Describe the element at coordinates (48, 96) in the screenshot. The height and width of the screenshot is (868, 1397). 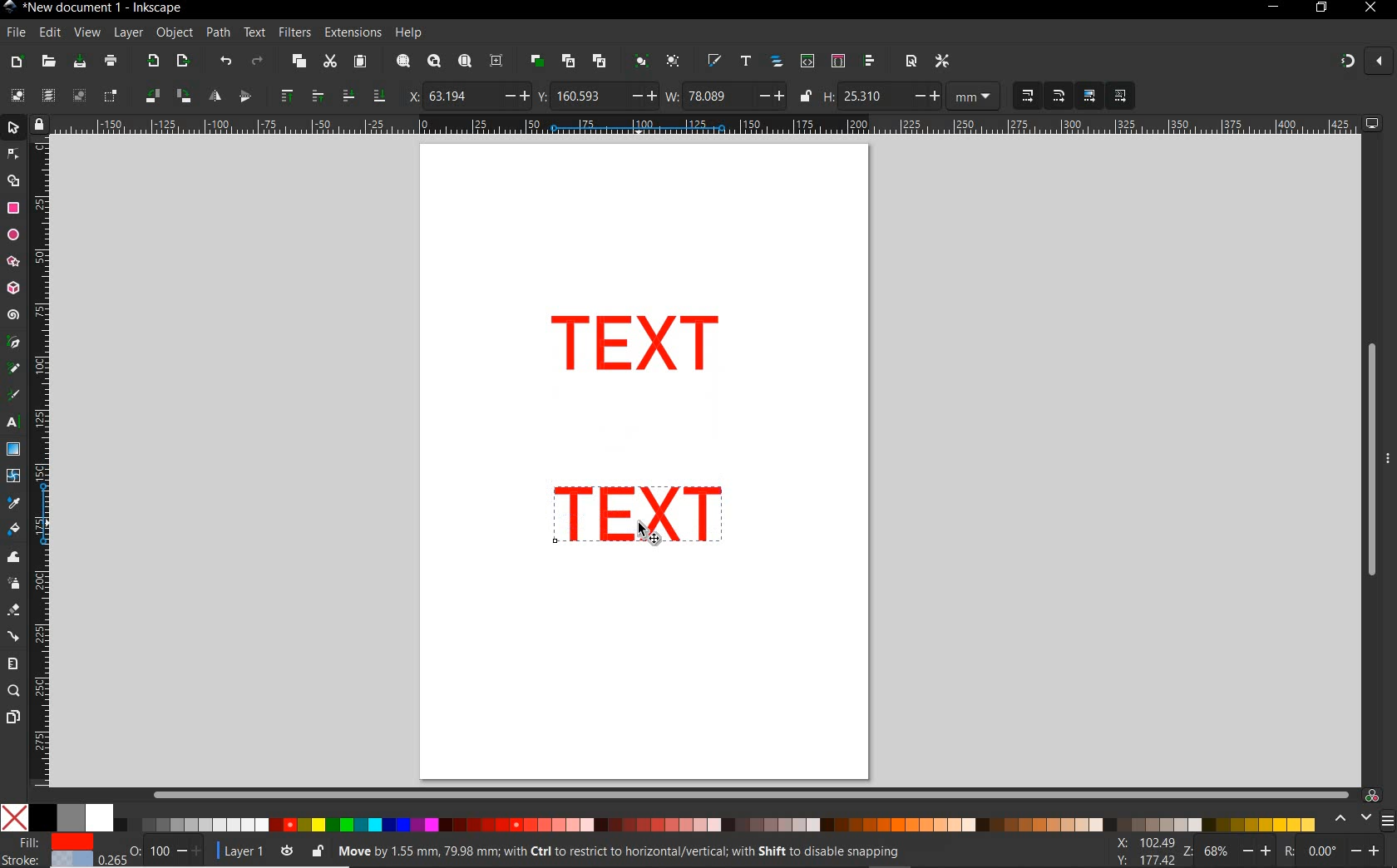
I see `select all in all layers` at that location.